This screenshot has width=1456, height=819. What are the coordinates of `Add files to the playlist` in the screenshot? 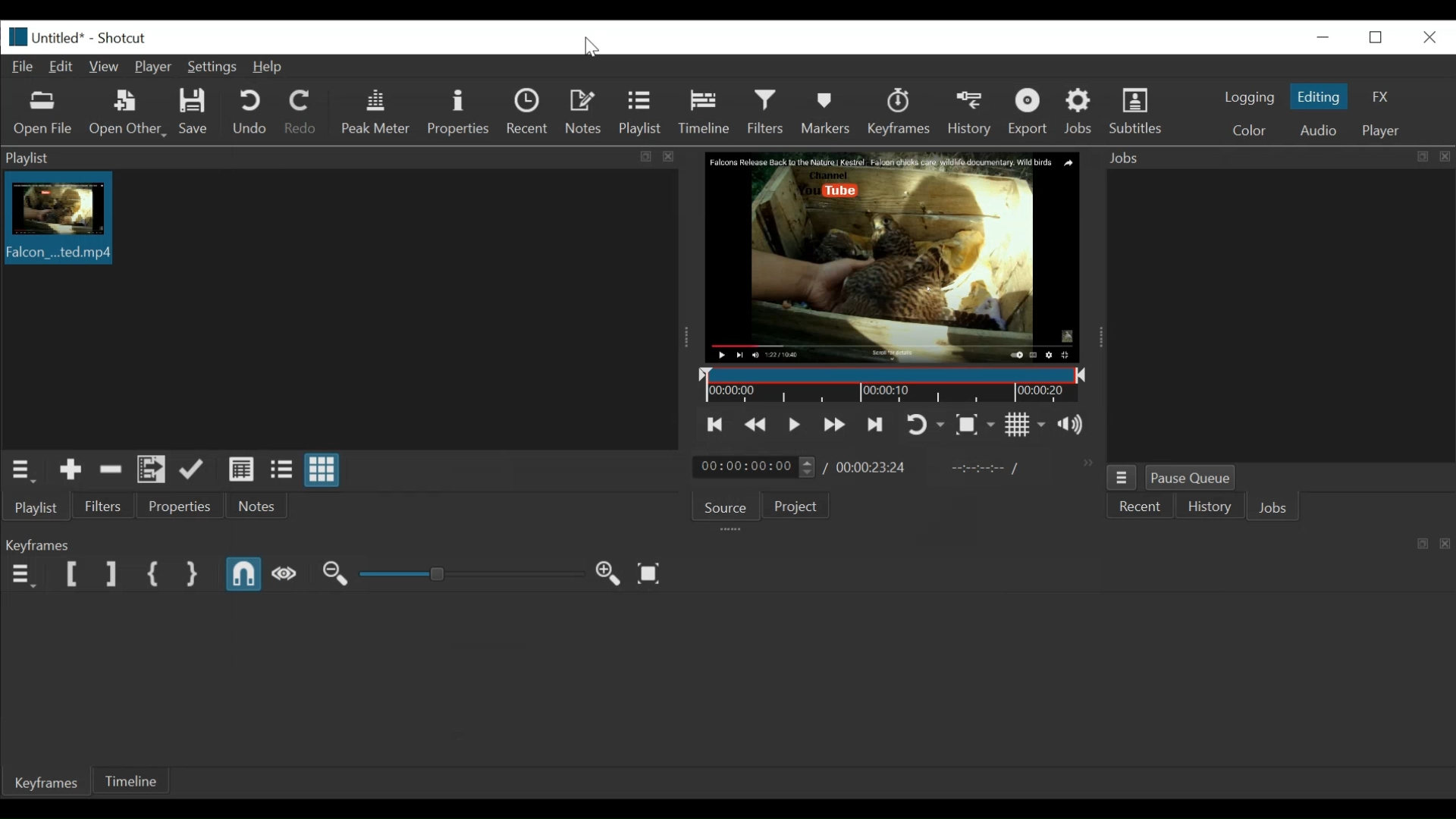 It's located at (153, 470).